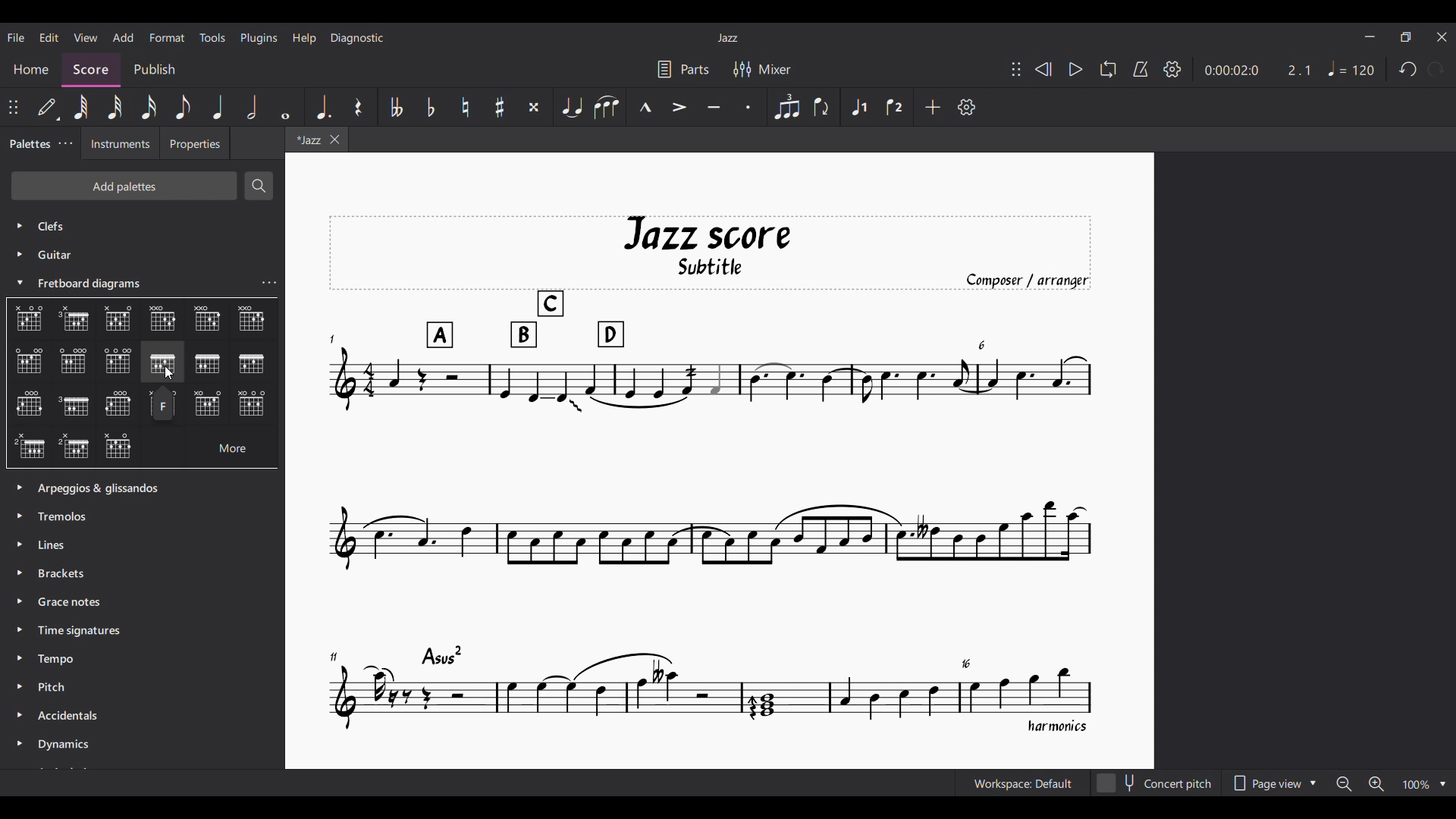 Image resolution: width=1456 pixels, height=819 pixels. I want to click on File menu, so click(15, 37).